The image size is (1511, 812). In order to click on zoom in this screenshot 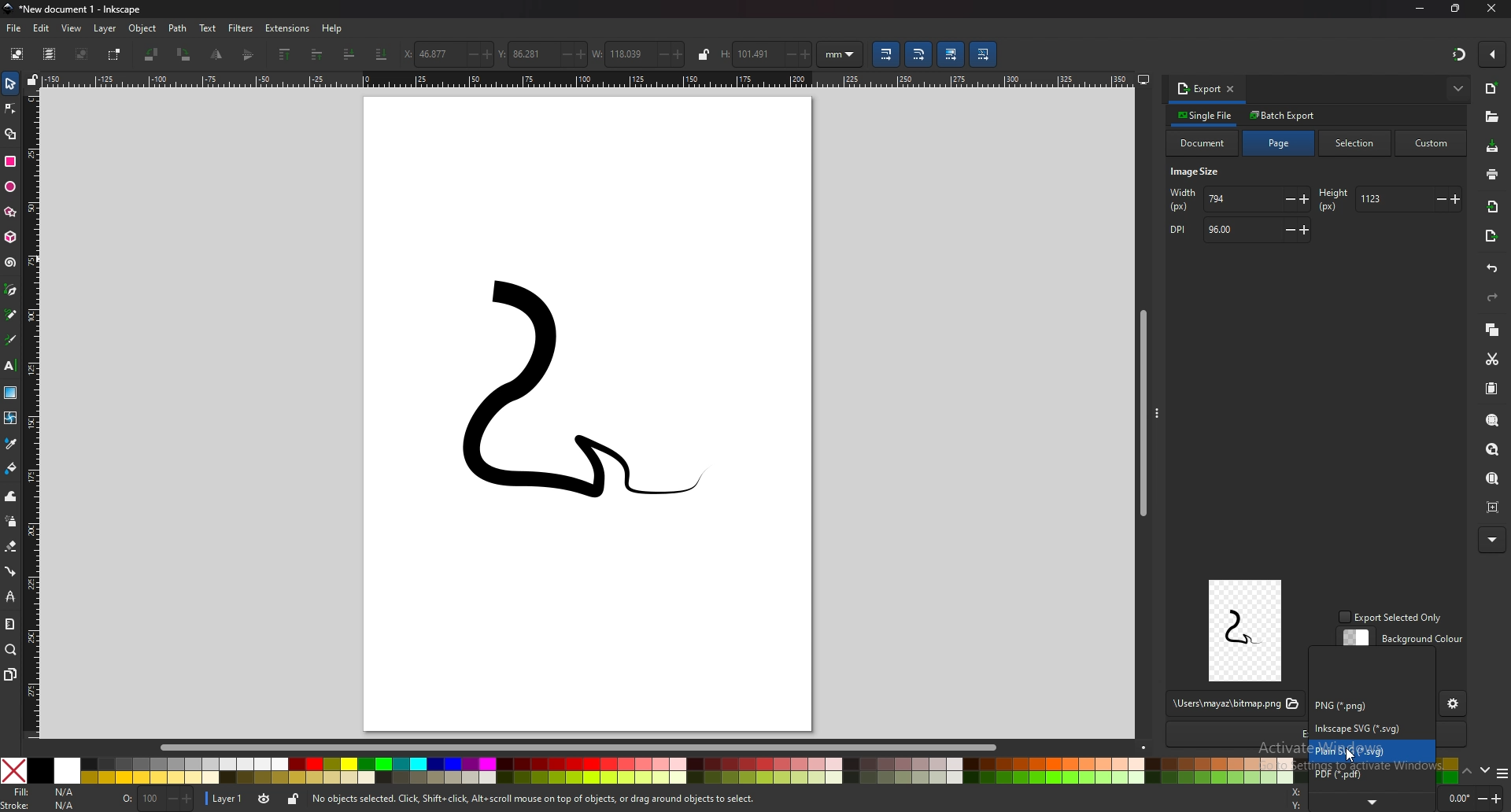, I will do `click(11, 651)`.